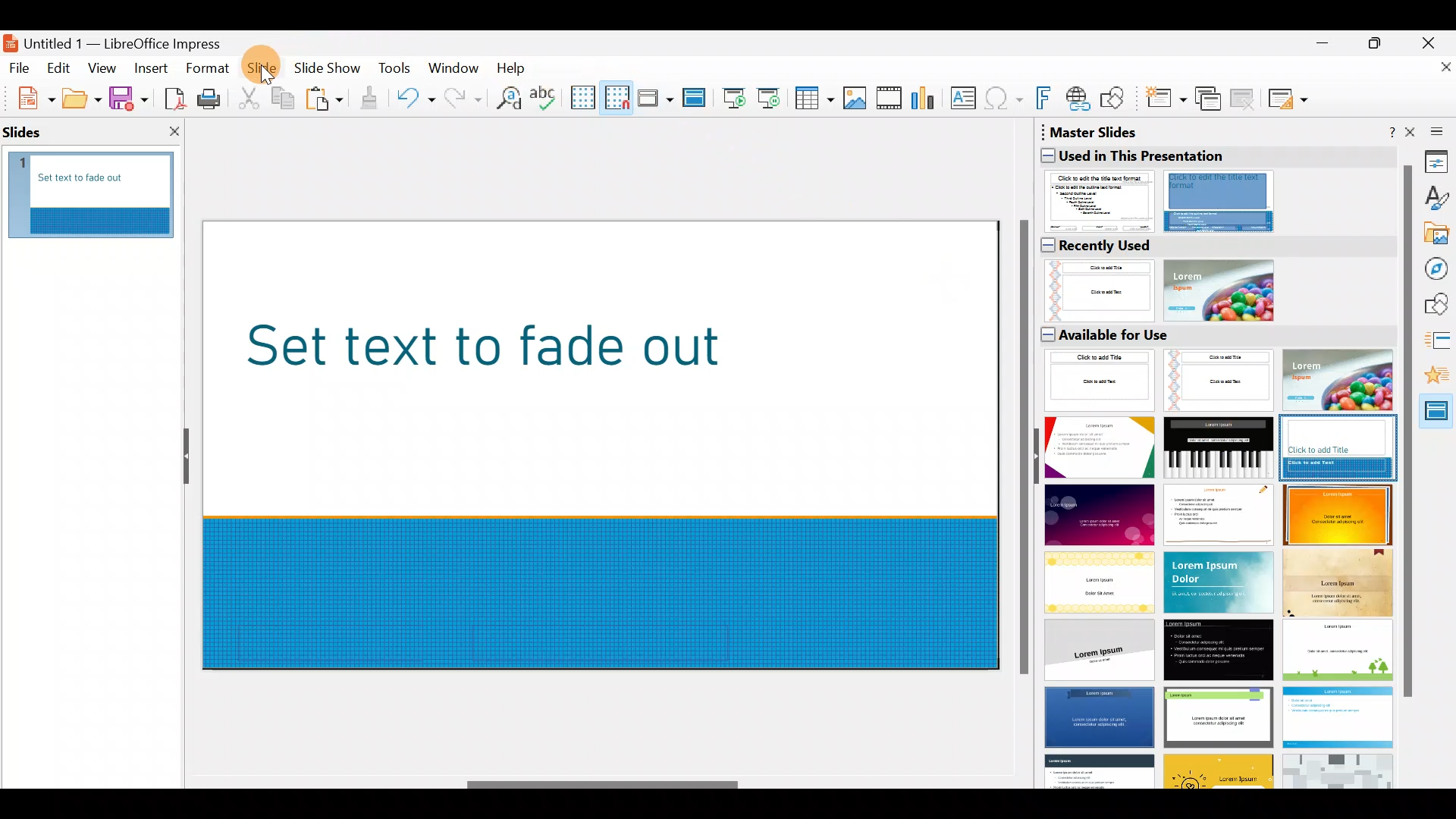 This screenshot has width=1456, height=819. What do you see at coordinates (1437, 416) in the screenshot?
I see `Master slides` at bounding box center [1437, 416].